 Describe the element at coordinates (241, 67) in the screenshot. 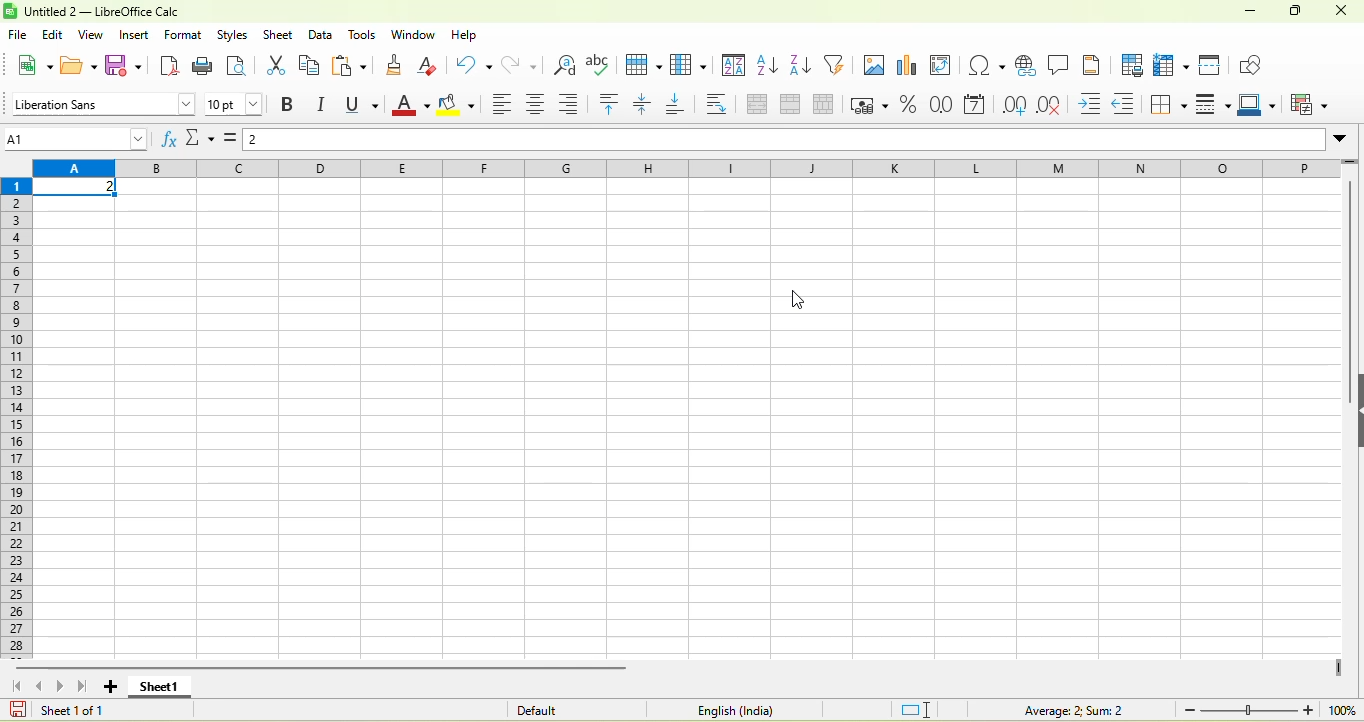

I see `print preview` at that location.